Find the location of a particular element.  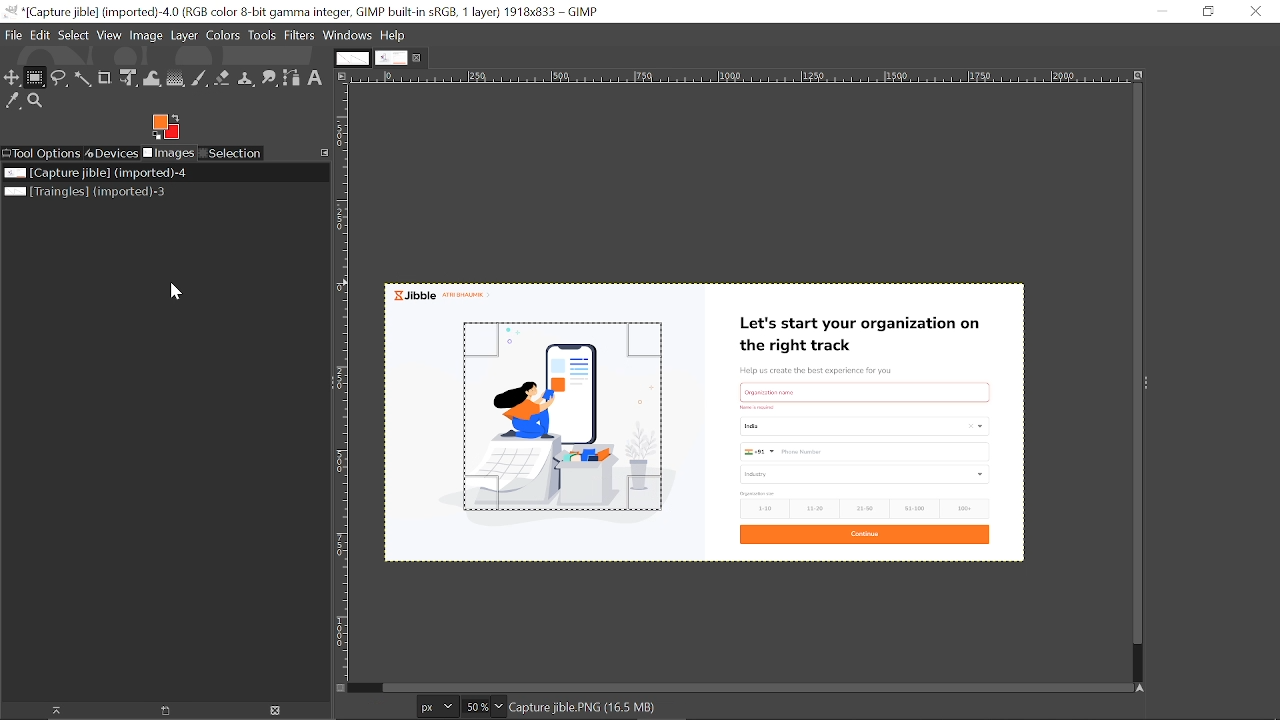

Image is located at coordinates (147, 36).